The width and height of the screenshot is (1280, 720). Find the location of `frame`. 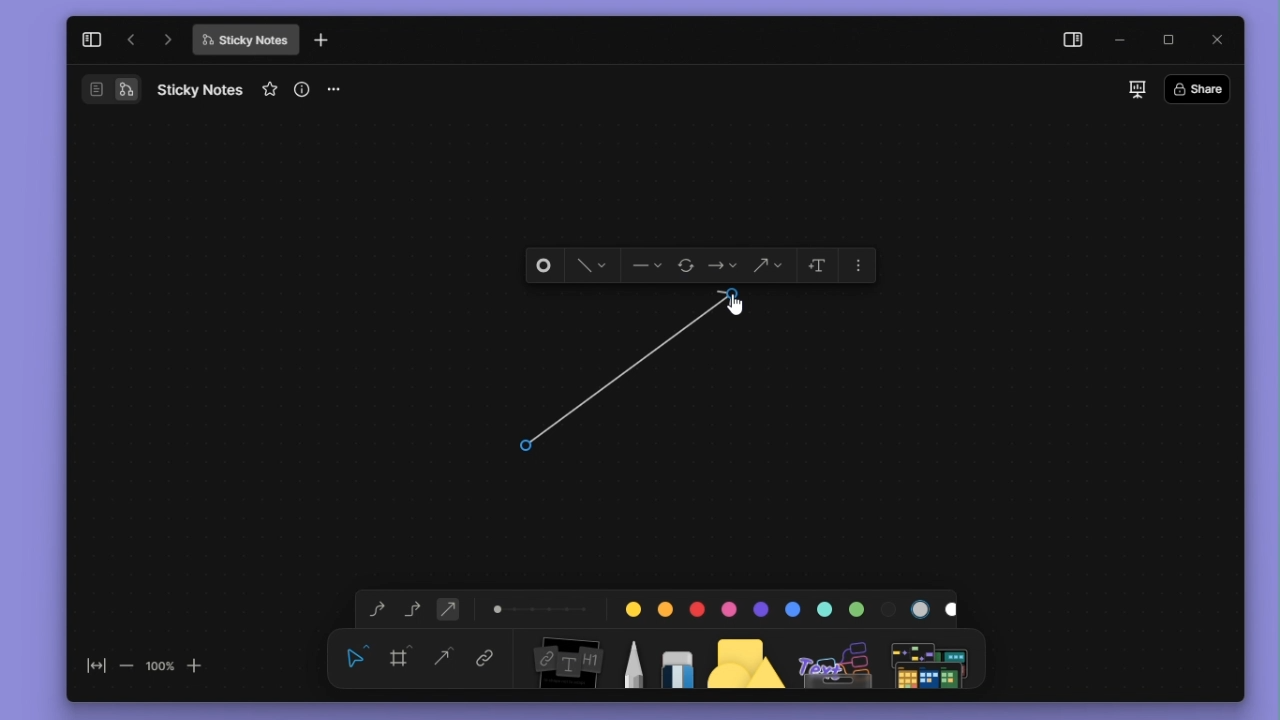

frame is located at coordinates (403, 656).